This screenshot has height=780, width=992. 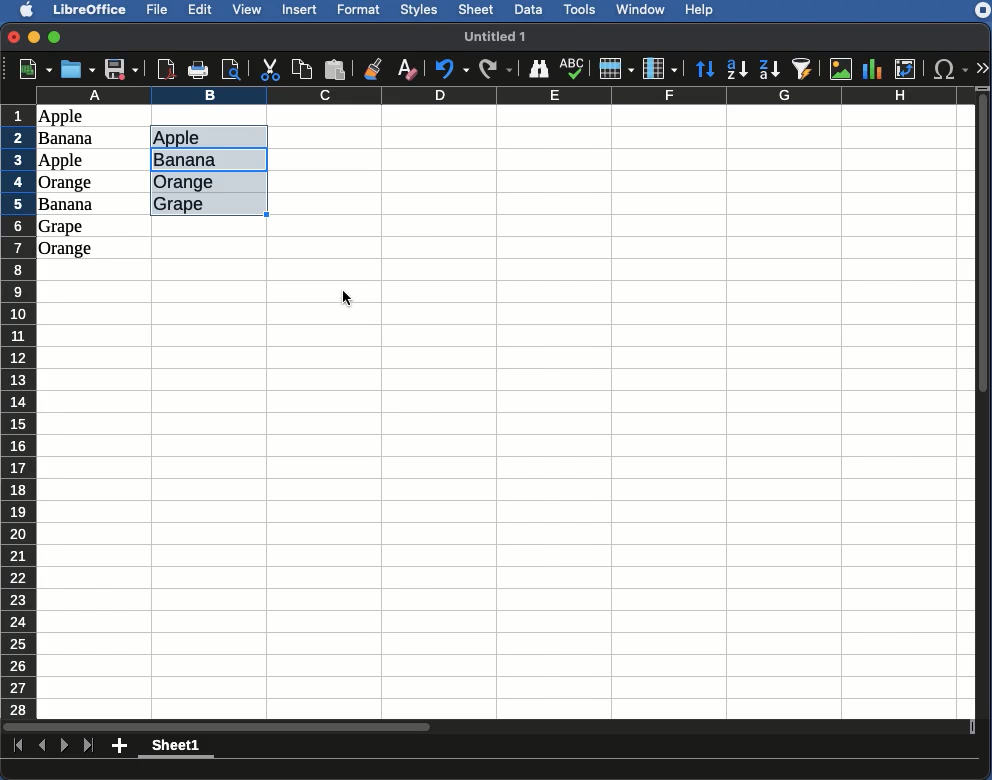 I want to click on Maximize, so click(x=55, y=36).